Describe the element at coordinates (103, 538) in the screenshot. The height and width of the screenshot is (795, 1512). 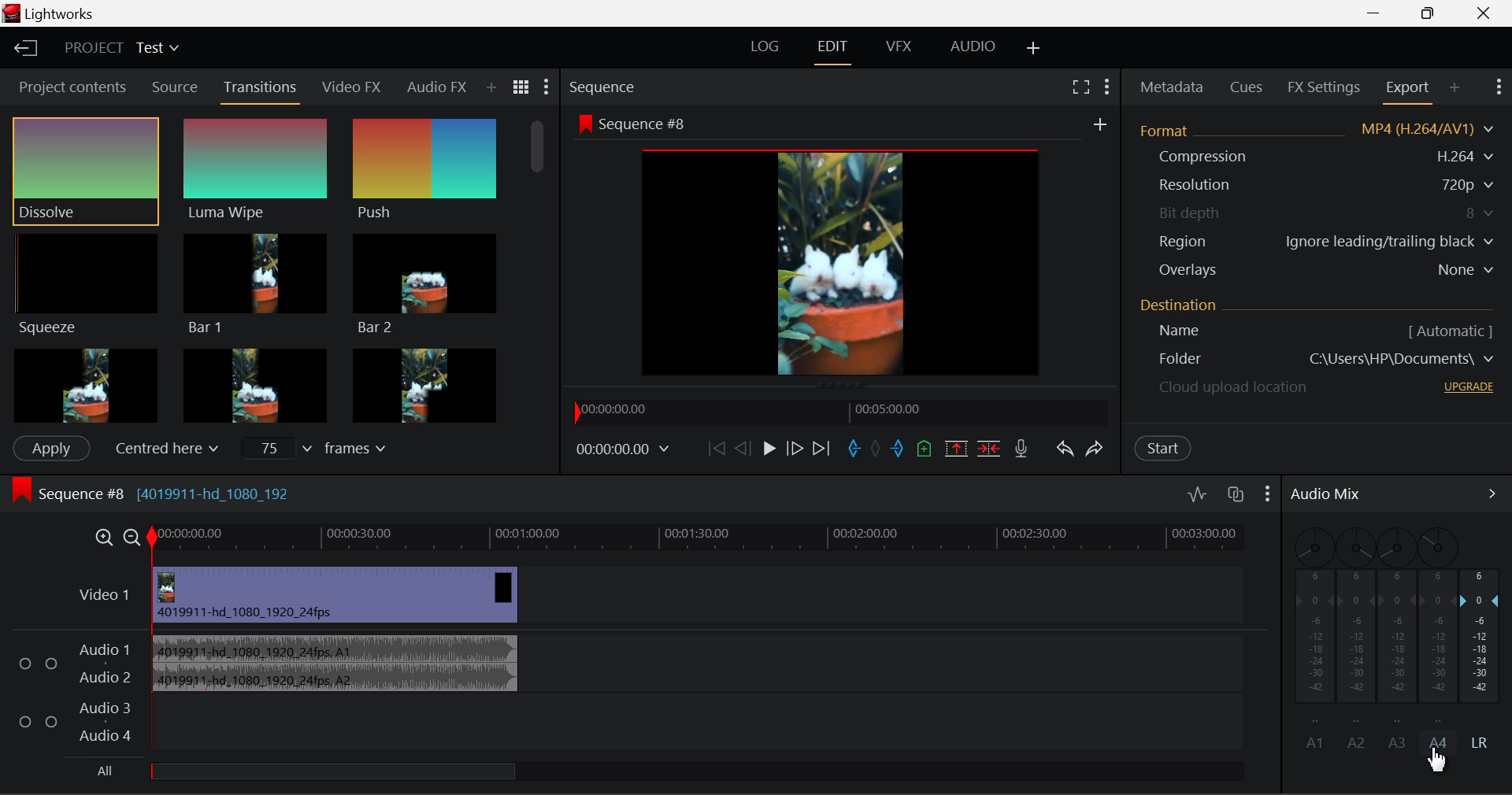
I see `Timeline Zoom In` at that location.